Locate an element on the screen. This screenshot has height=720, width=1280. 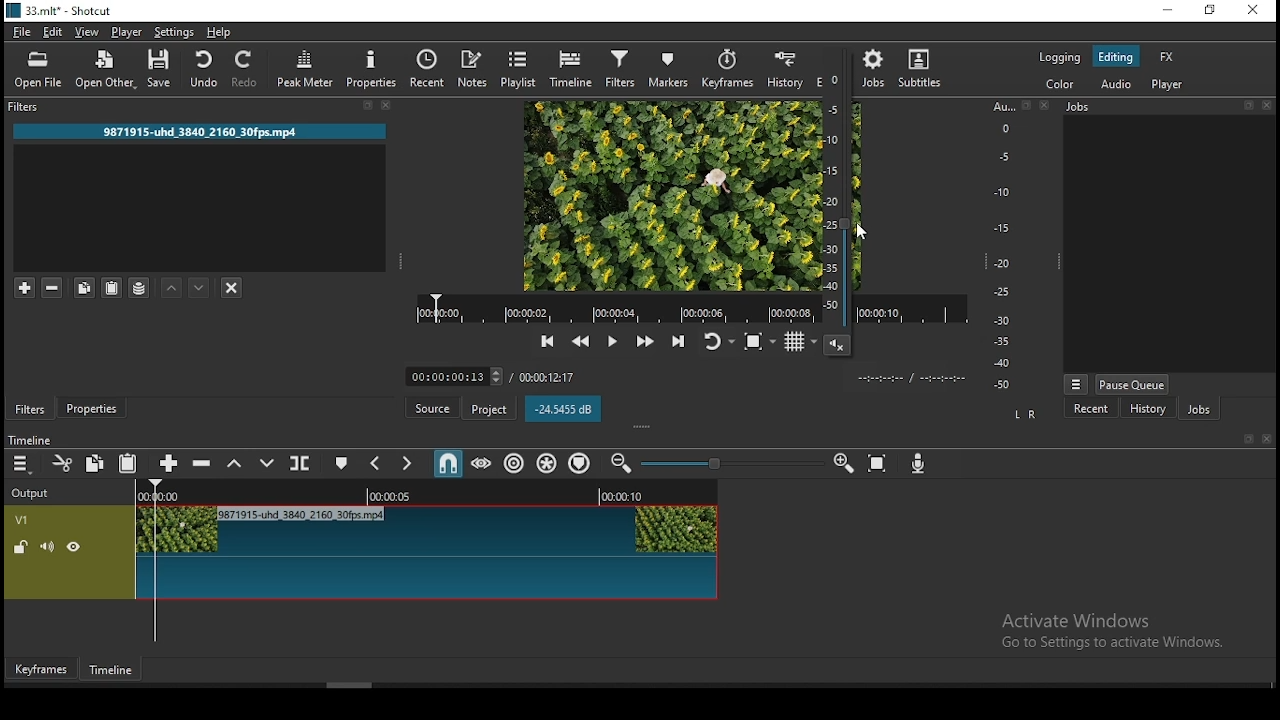
filters is located at coordinates (27, 409).